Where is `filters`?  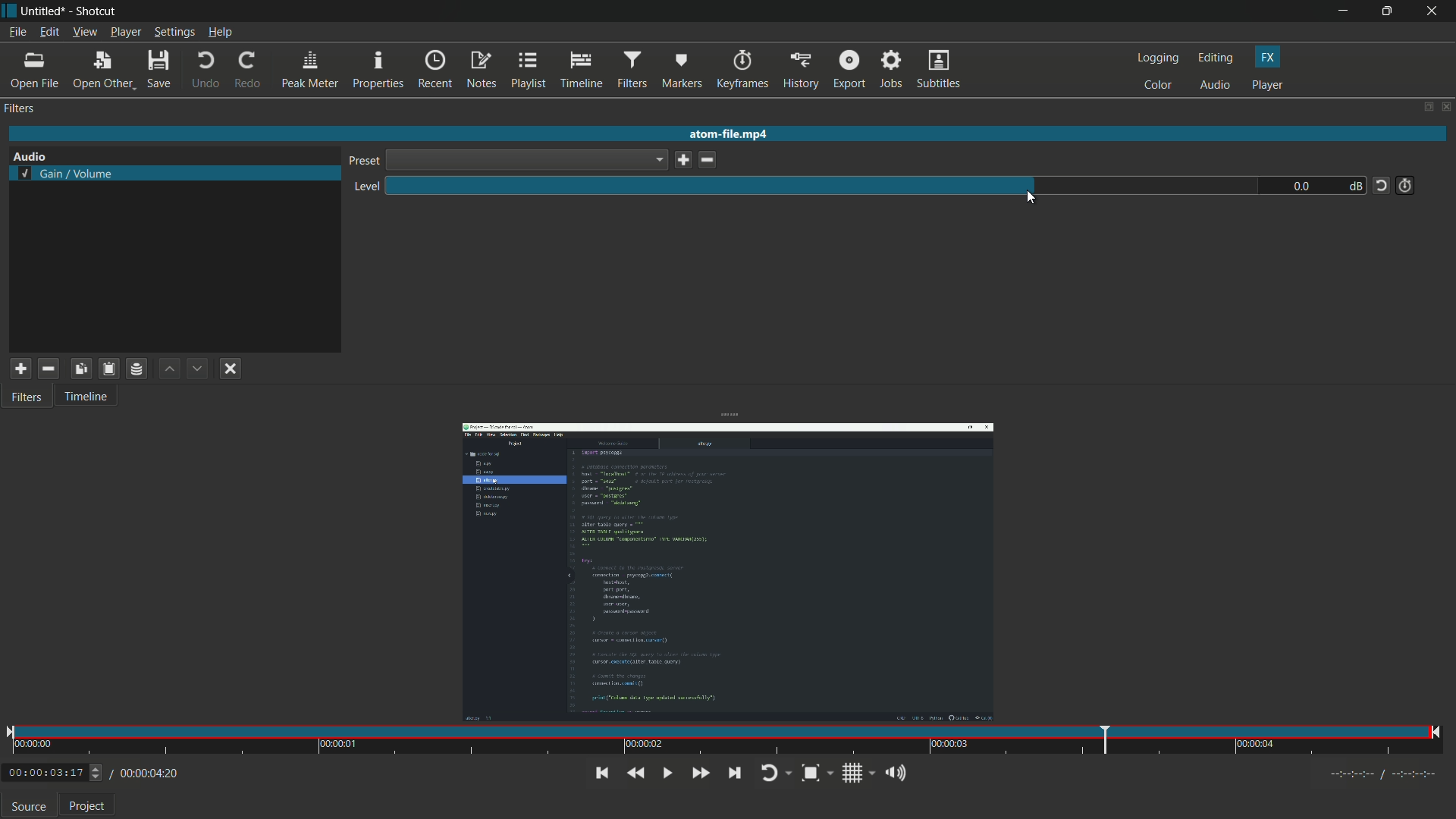
filters is located at coordinates (632, 71).